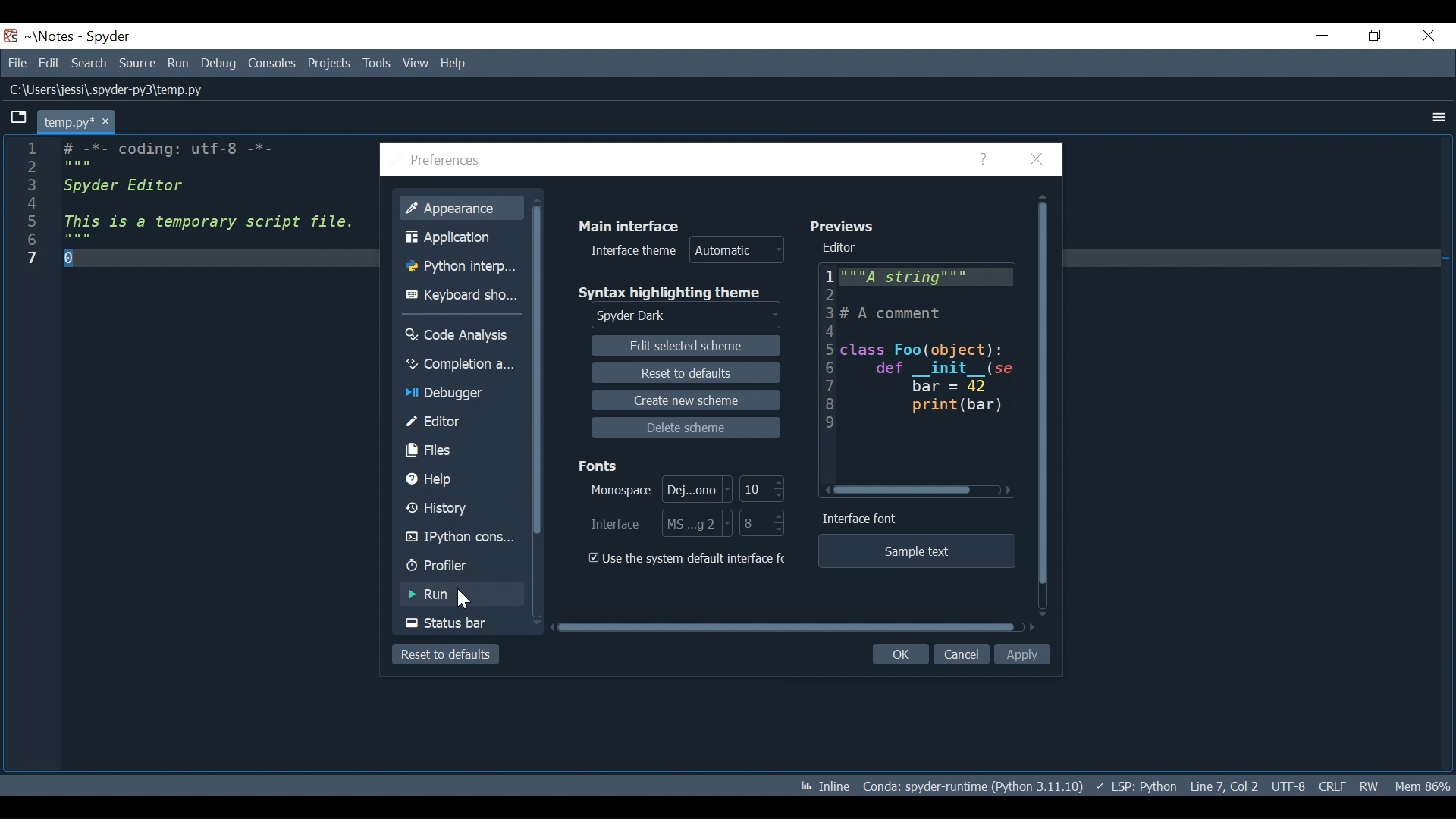 This screenshot has width=1456, height=819. I want to click on Interface Font, so click(863, 518).